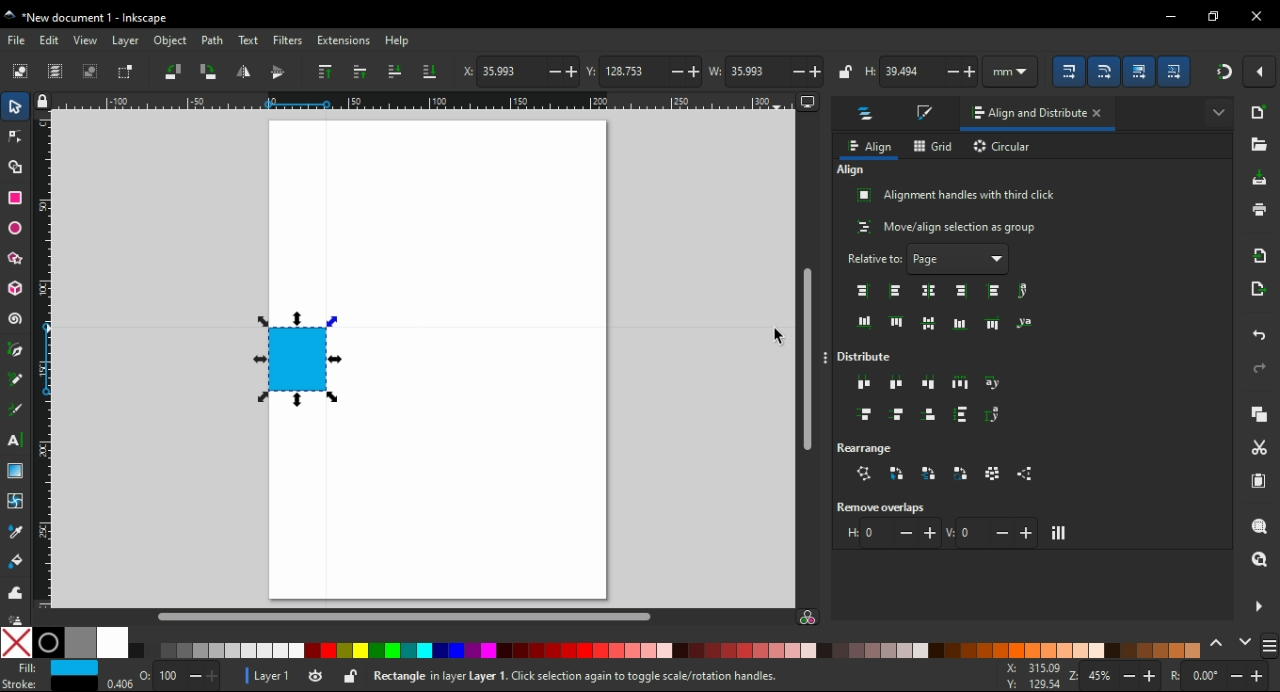 The width and height of the screenshot is (1280, 692). What do you see at coordinates (320, 676) in the screenshot?
I see `layer visibility` at bounding box center [320, 676].